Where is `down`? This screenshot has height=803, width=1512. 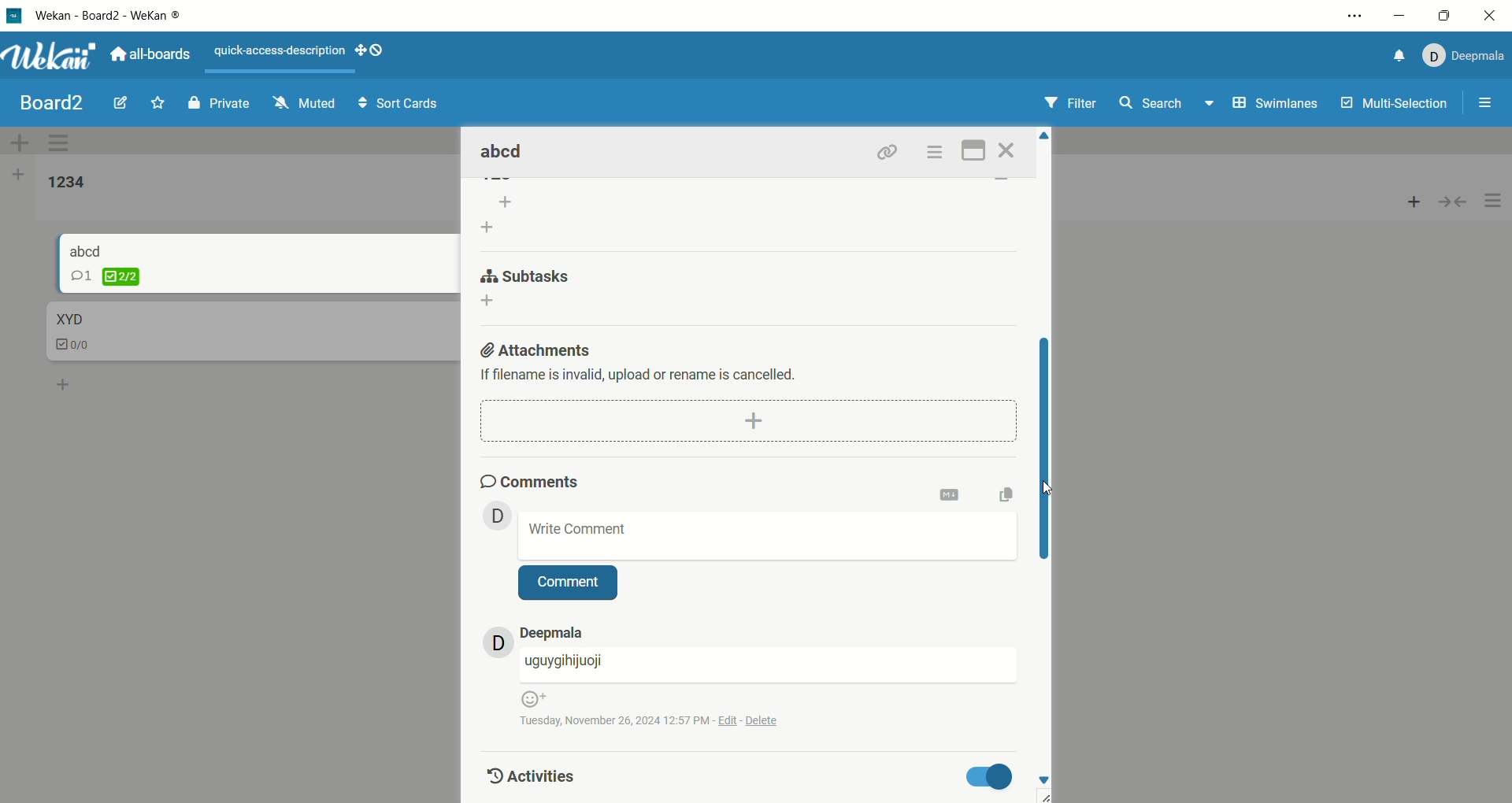 down is located at coordinates (1046, 781).